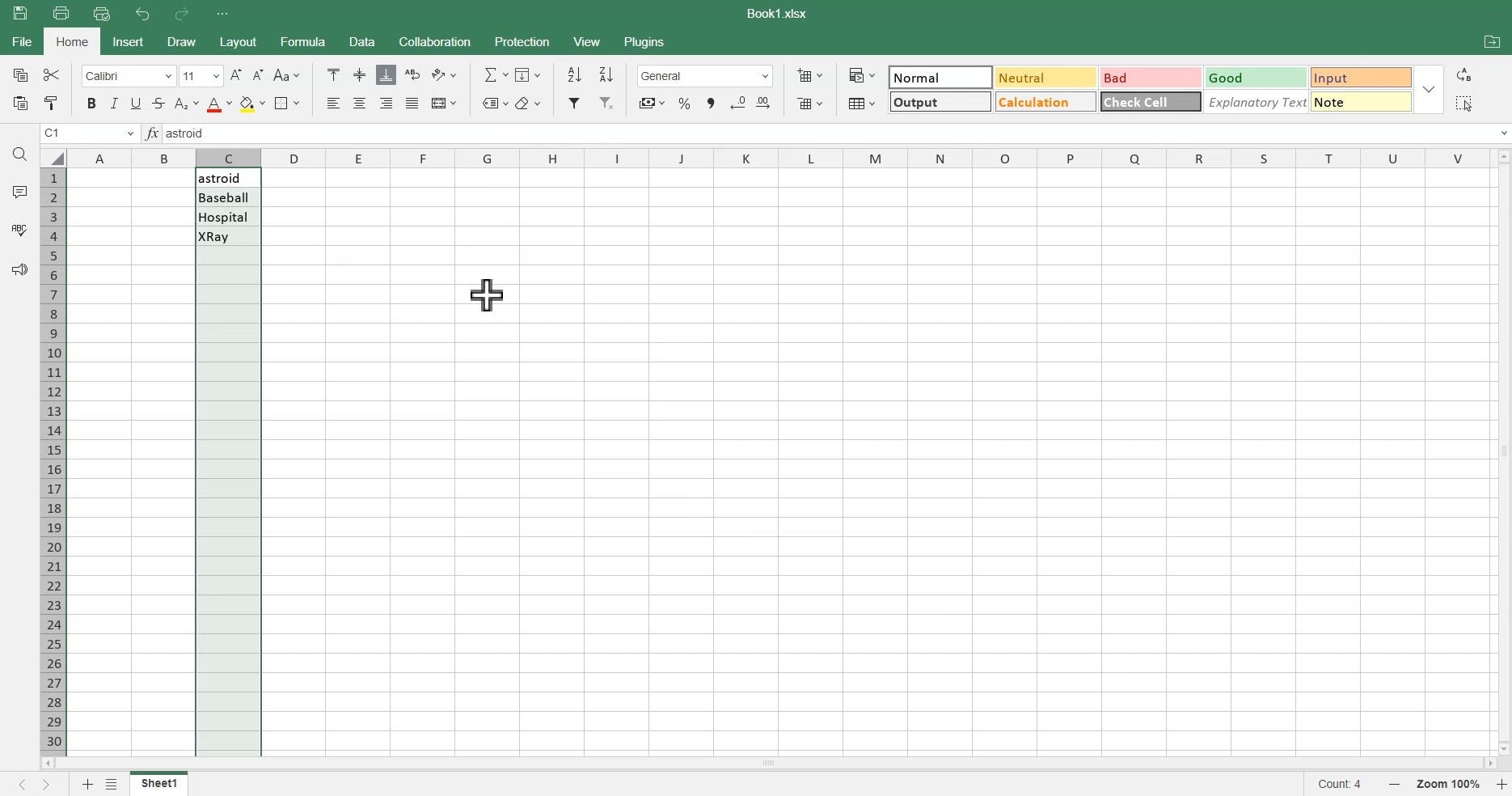  What do you see at coordinates (18, 74) in the screenshot?
I see `Copy` at bounding box center [18, 74].